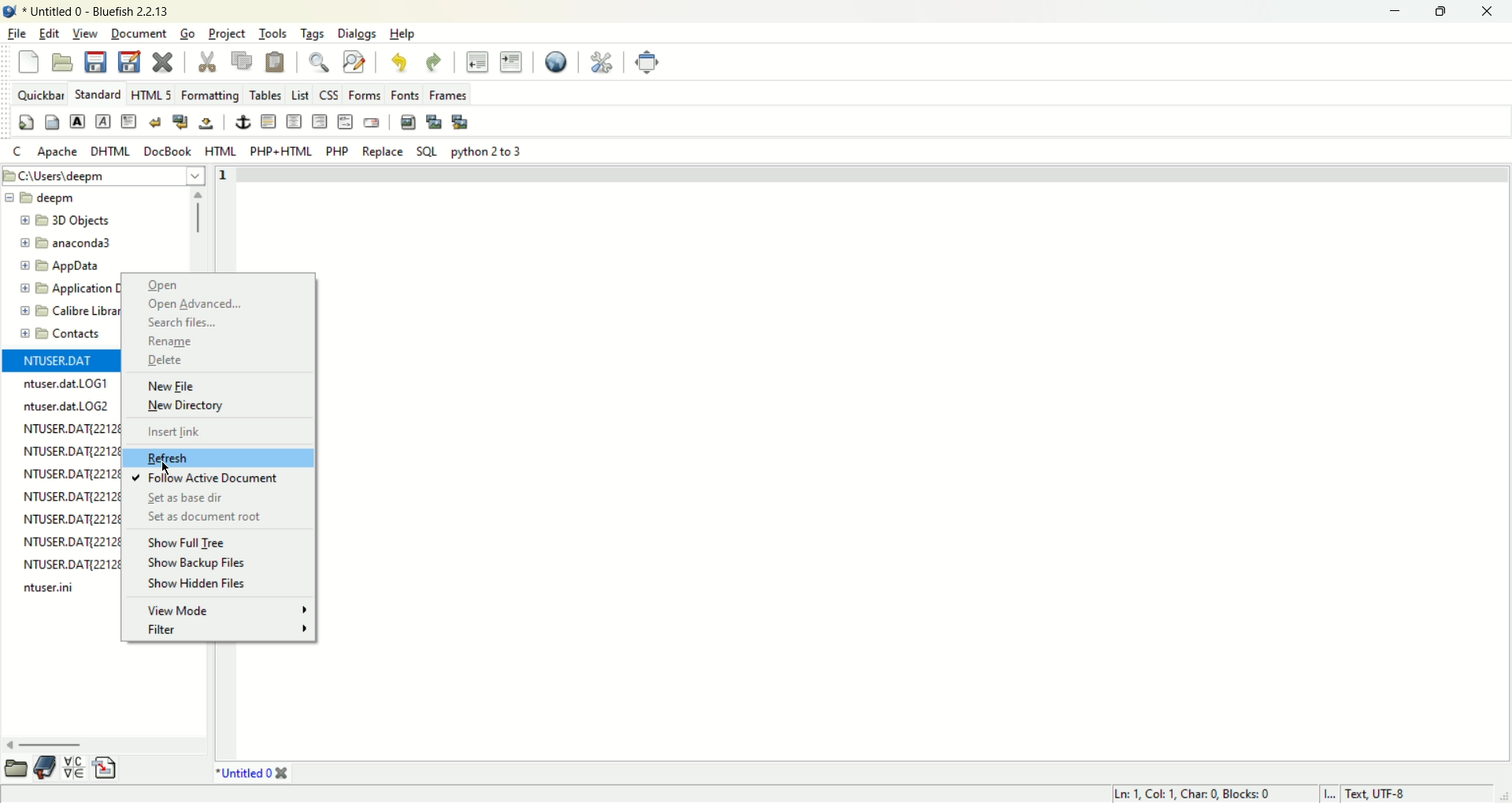  I want to click on save, so click(96, 62).